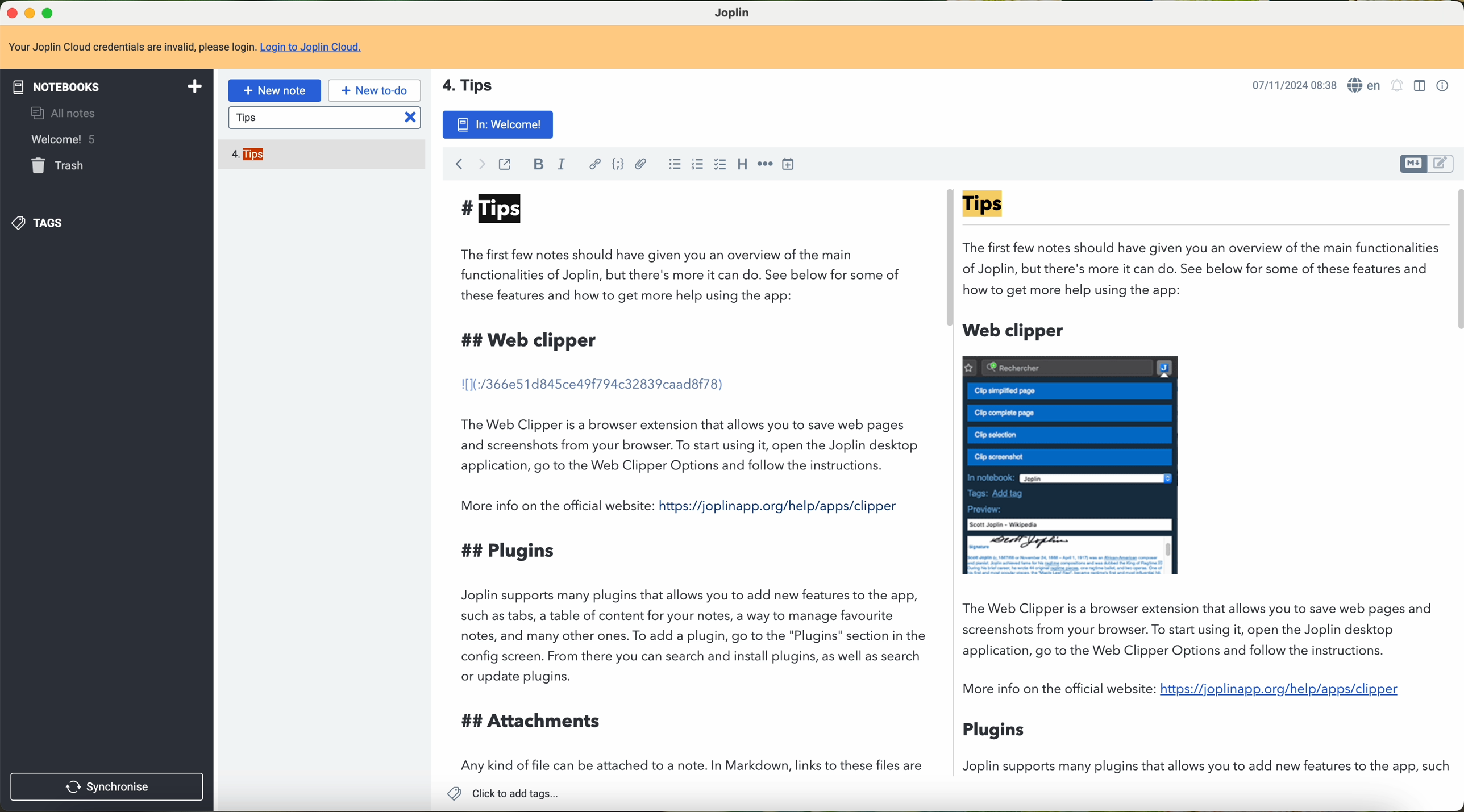  What do you see at coordinates (105, 86) in the screenshot?
I see `notebooks` at bounding box center [105, 86].